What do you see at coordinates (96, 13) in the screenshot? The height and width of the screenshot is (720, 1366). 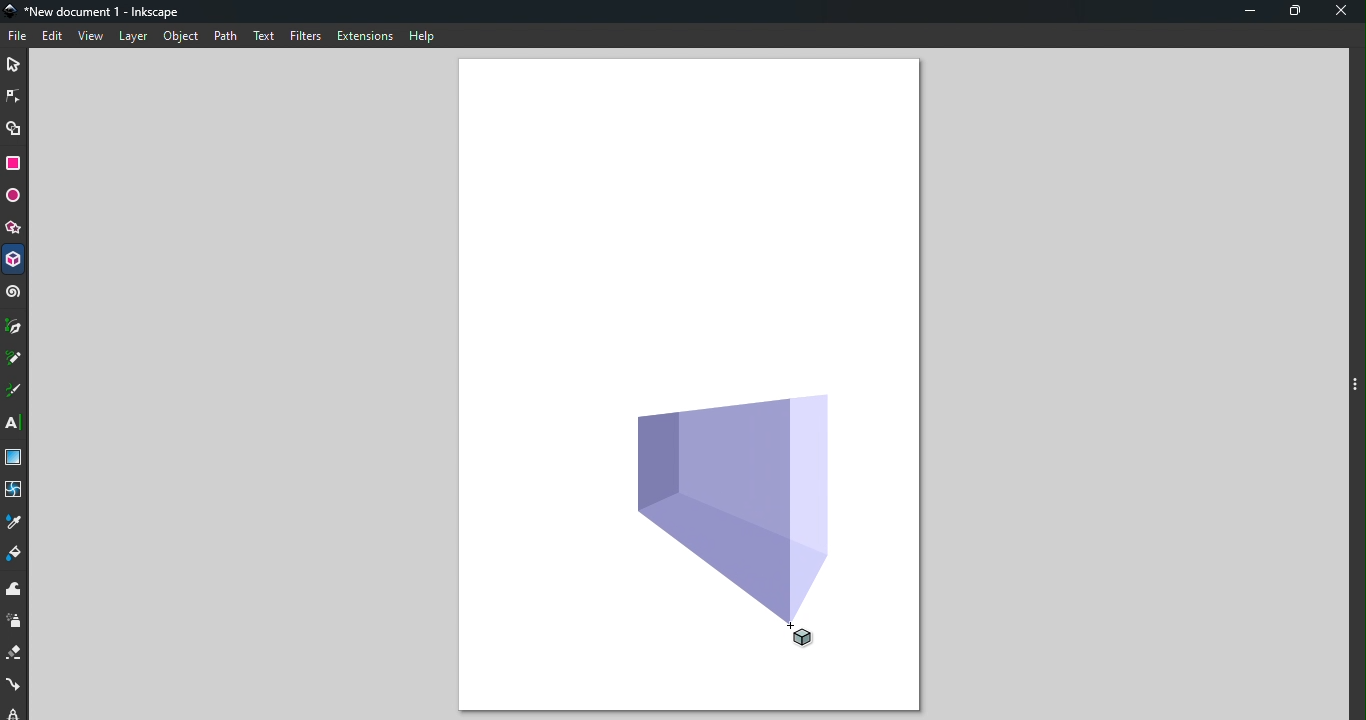 I see ` *New document 1 - Inkscape` at bounding box center [96, 13].